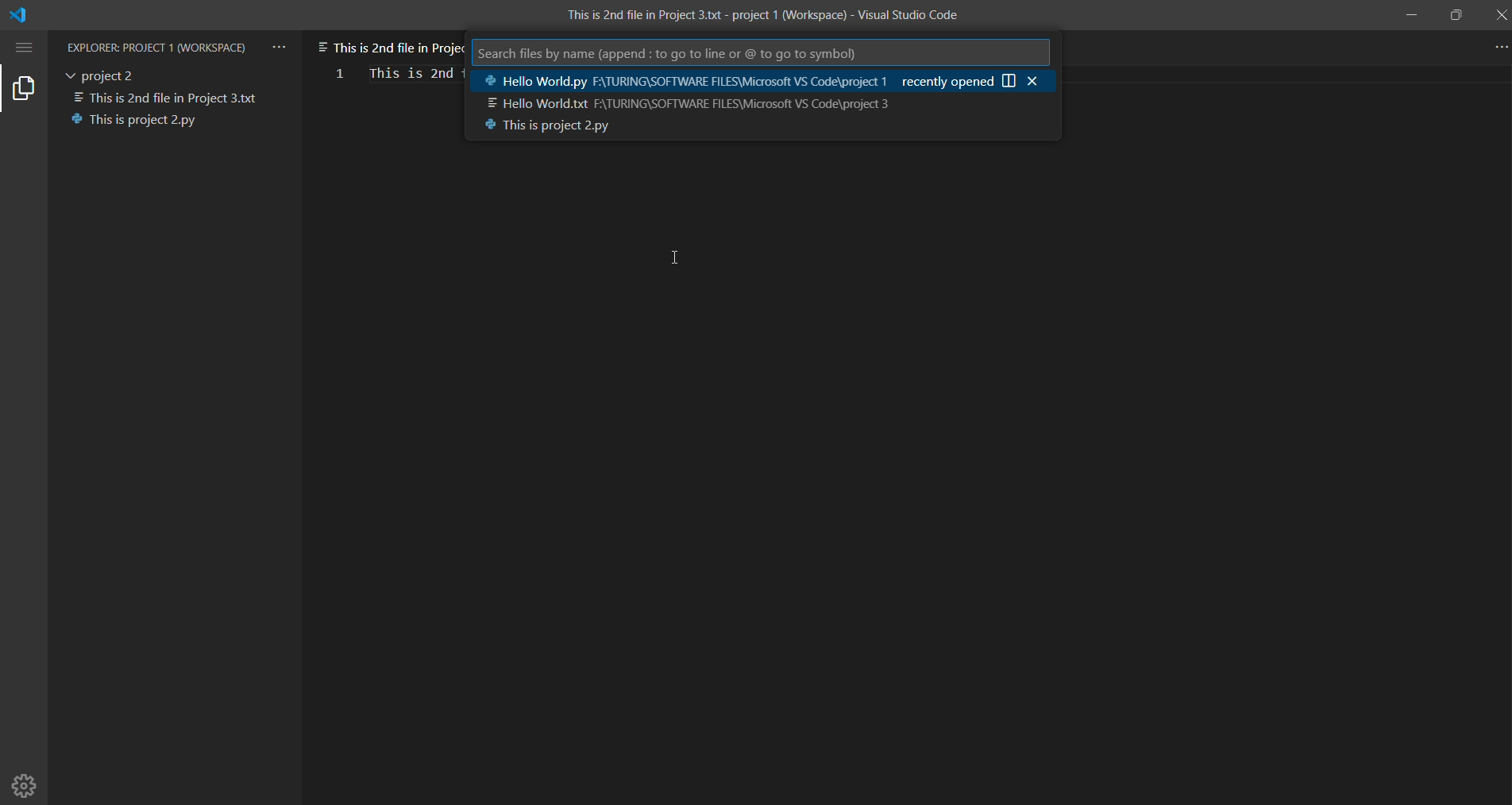  Describe the element at coordinates (25, 90) in the screenshot. I see `explorer` at that location.